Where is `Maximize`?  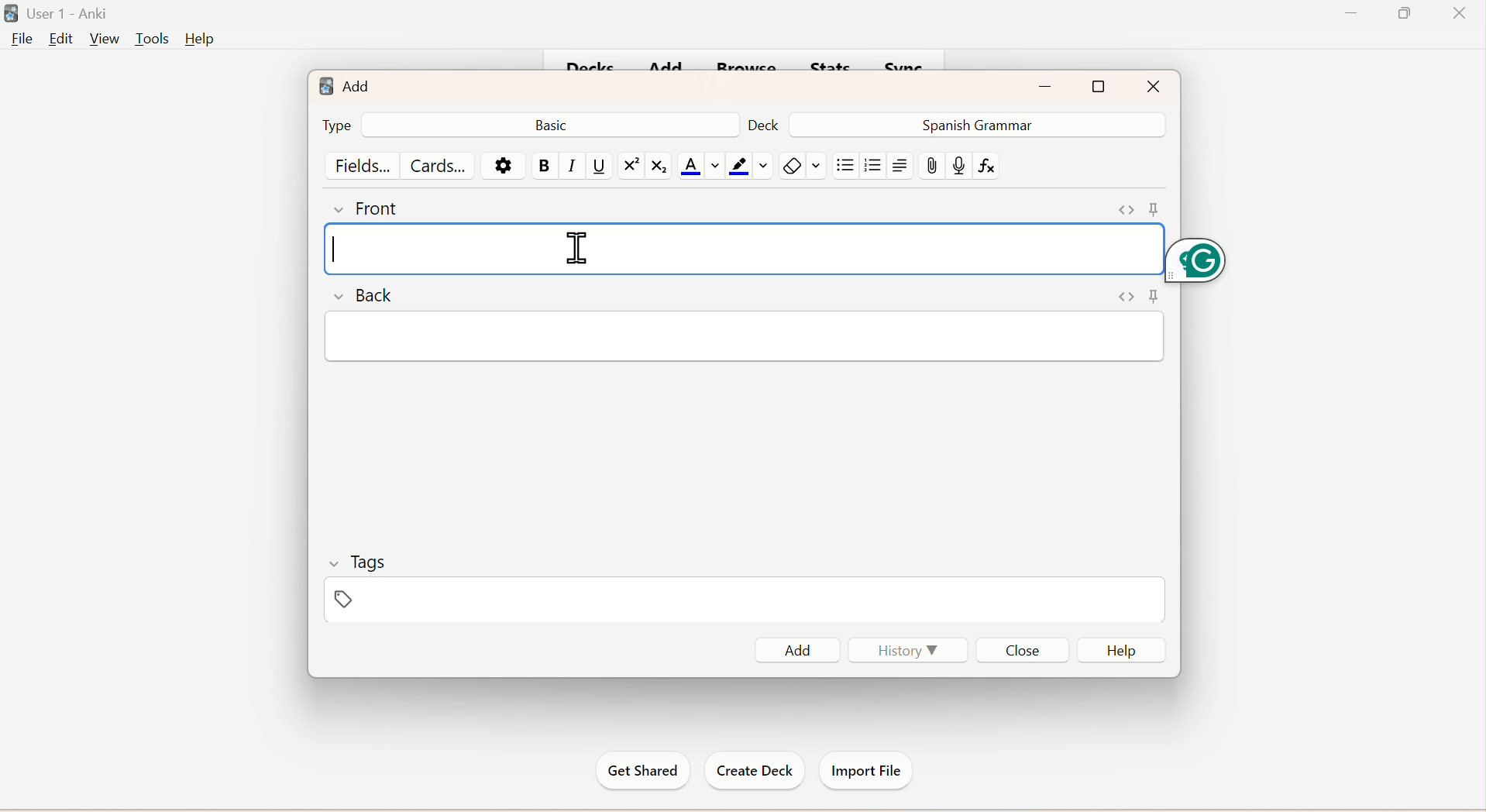 Maximize is located at coordinates (1410, 12).